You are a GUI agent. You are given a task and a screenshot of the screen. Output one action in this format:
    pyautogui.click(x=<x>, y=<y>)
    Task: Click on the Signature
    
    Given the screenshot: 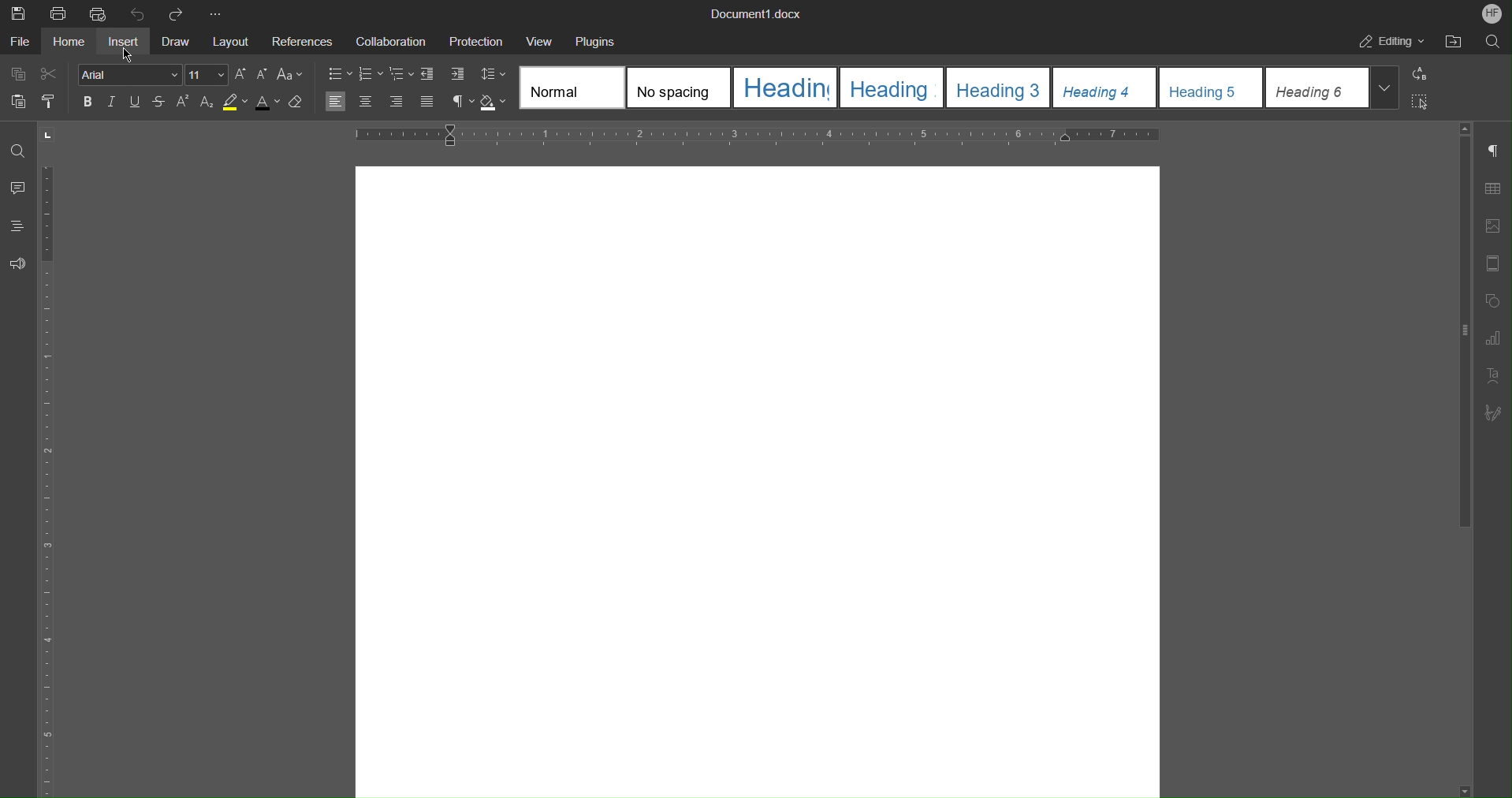 What is the action you would take?
    pyautogui.click(x=1499, y=413)
    